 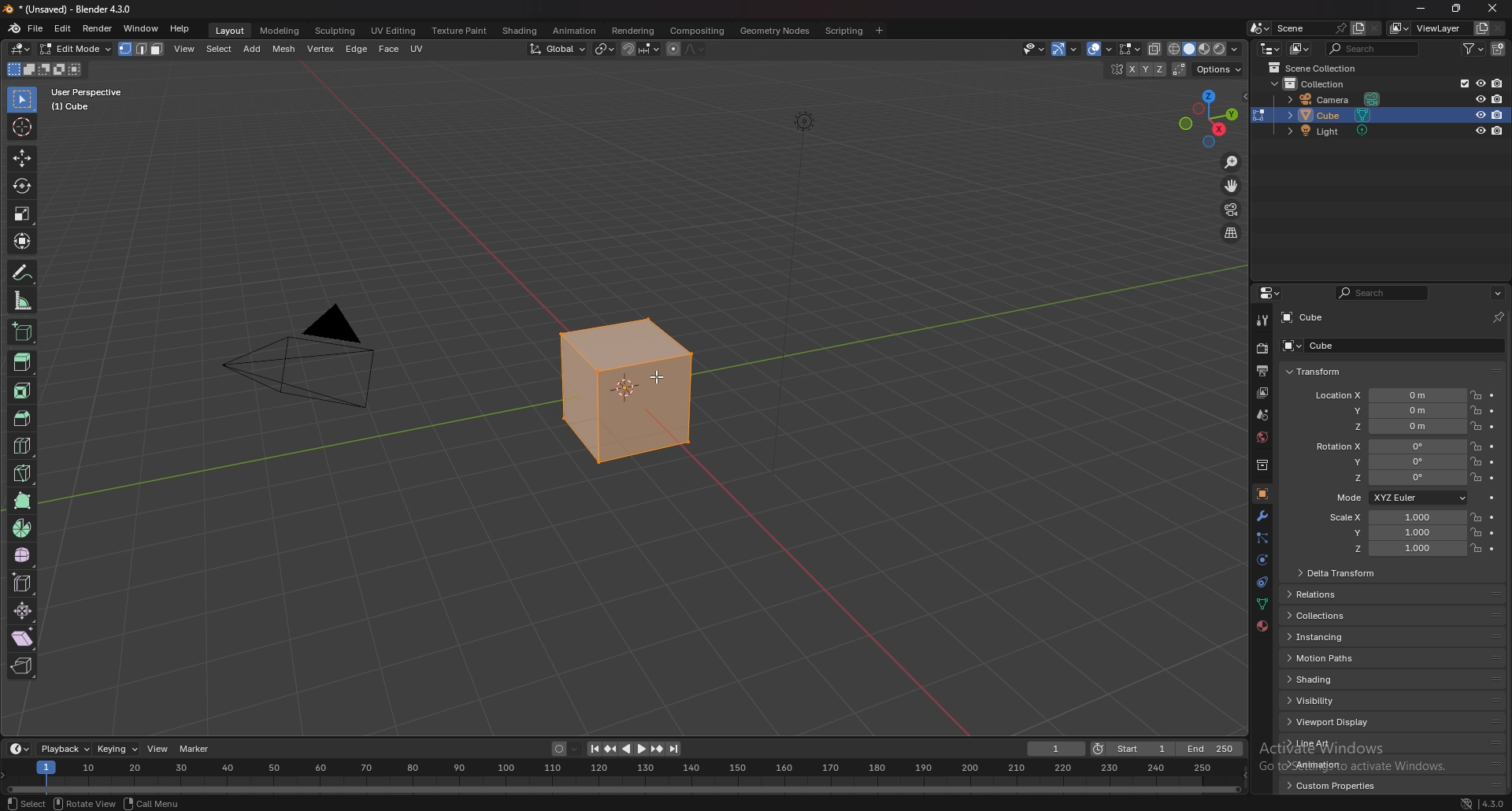 What do you see at coordinates (878, 31) in the screenshot?
I see `add workspace` at bounding box center [878, 31].